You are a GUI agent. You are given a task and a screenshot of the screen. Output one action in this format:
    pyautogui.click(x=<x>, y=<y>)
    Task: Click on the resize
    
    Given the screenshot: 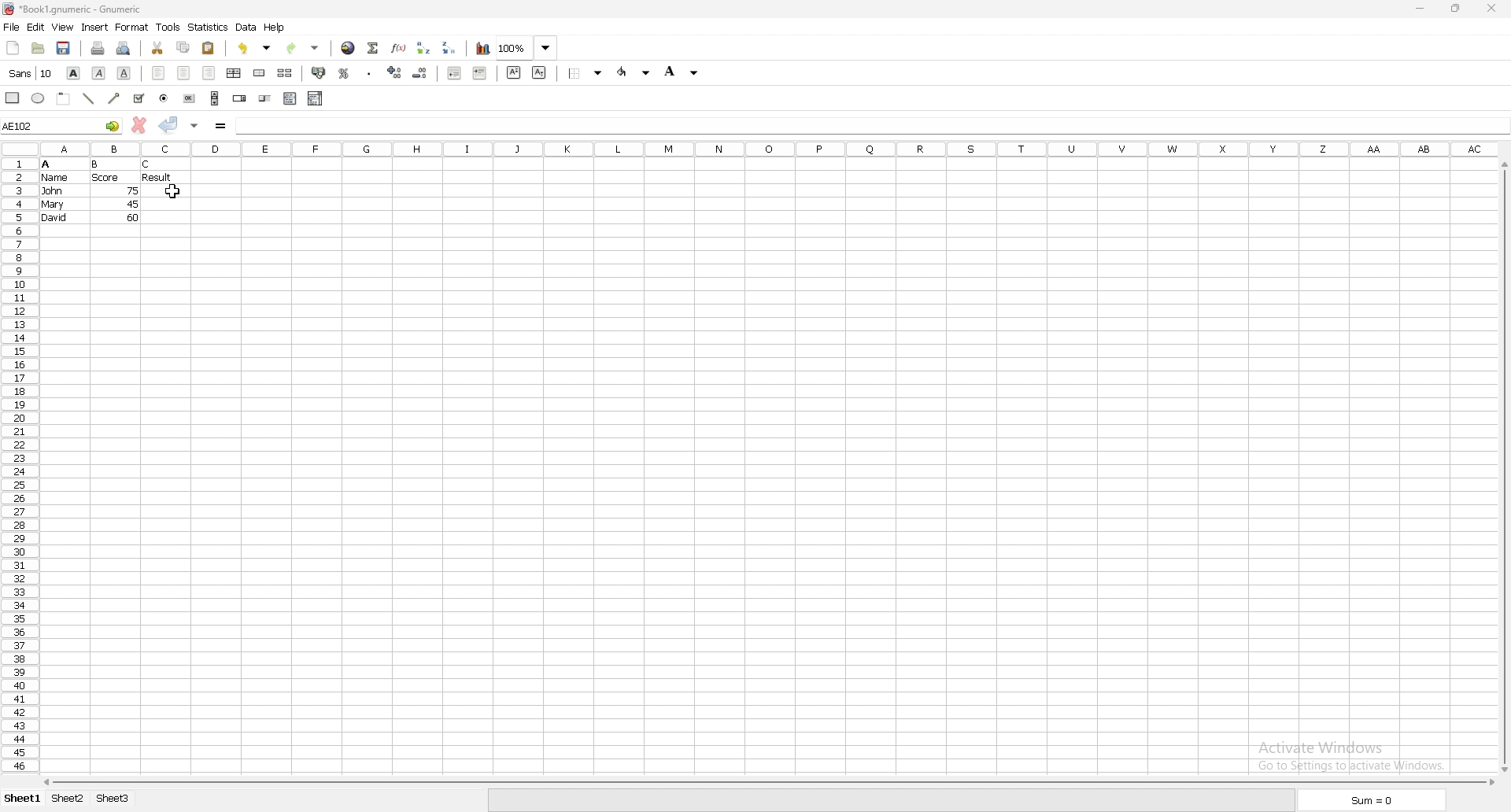 What is the action you would take?
    pyautogui.click(x=1459, y=9)
    